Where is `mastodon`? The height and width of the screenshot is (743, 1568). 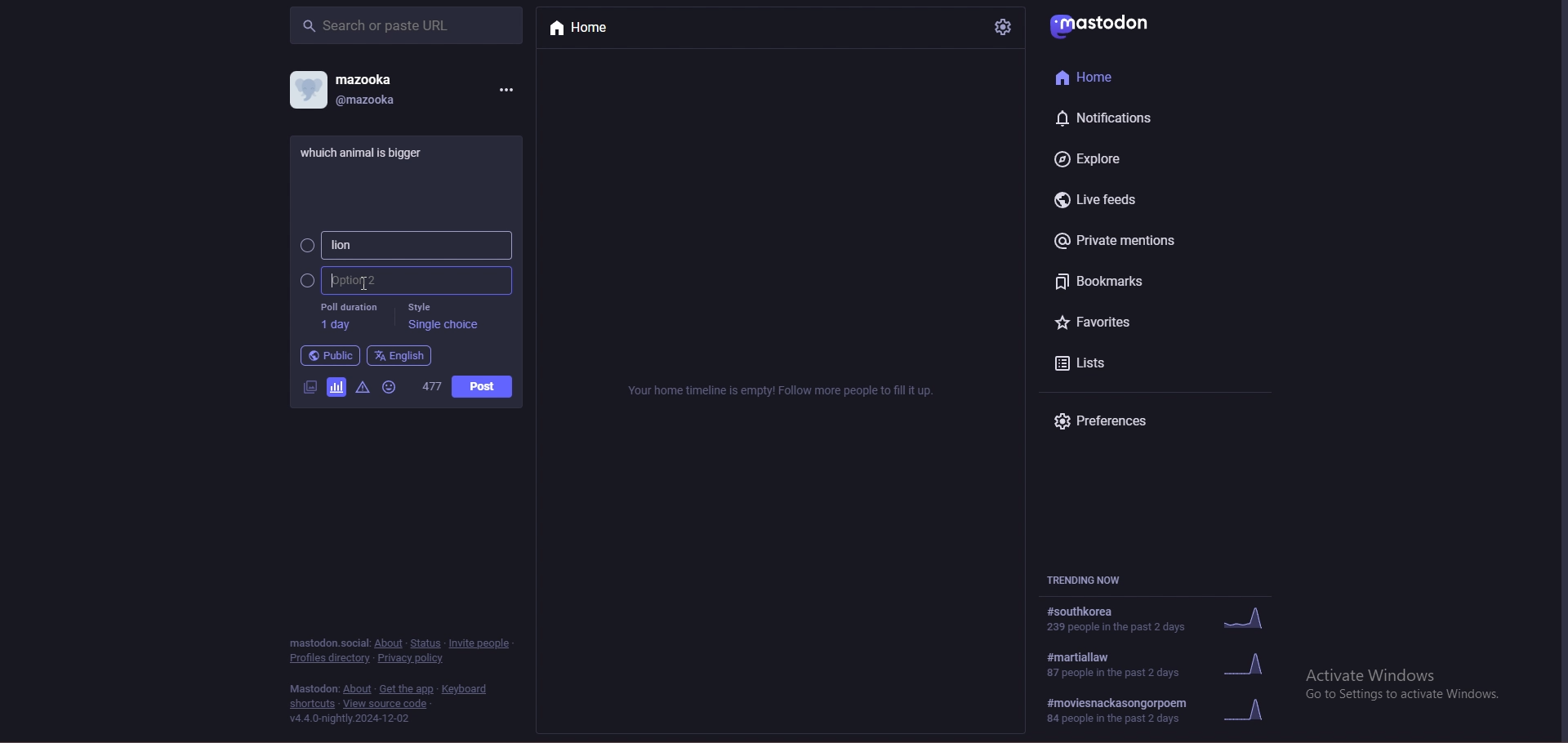 mastodon is located at coordinates (314, 689).